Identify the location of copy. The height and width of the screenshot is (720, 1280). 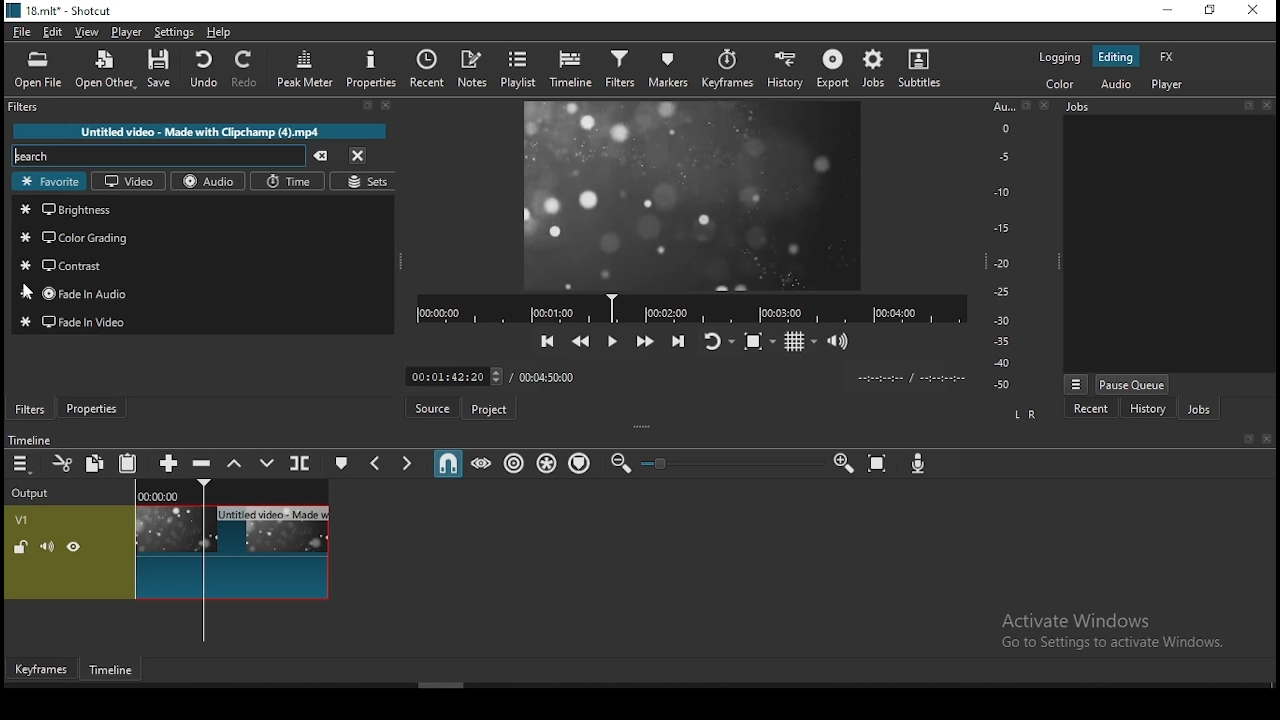
(95, 462).